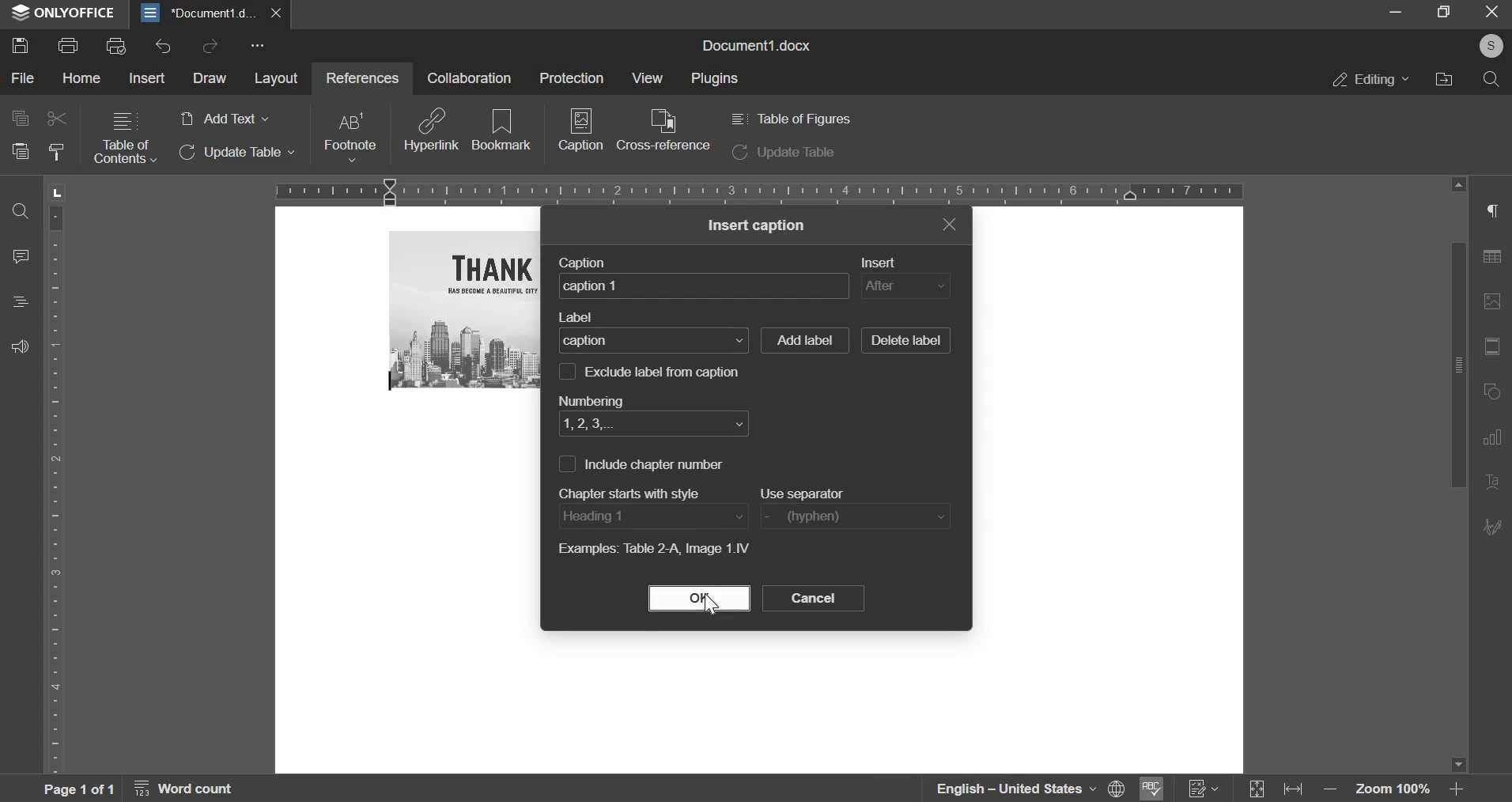 The height and width of the screenshot is (802, 1512). I want to click on vertical scale, so click(57, 487).